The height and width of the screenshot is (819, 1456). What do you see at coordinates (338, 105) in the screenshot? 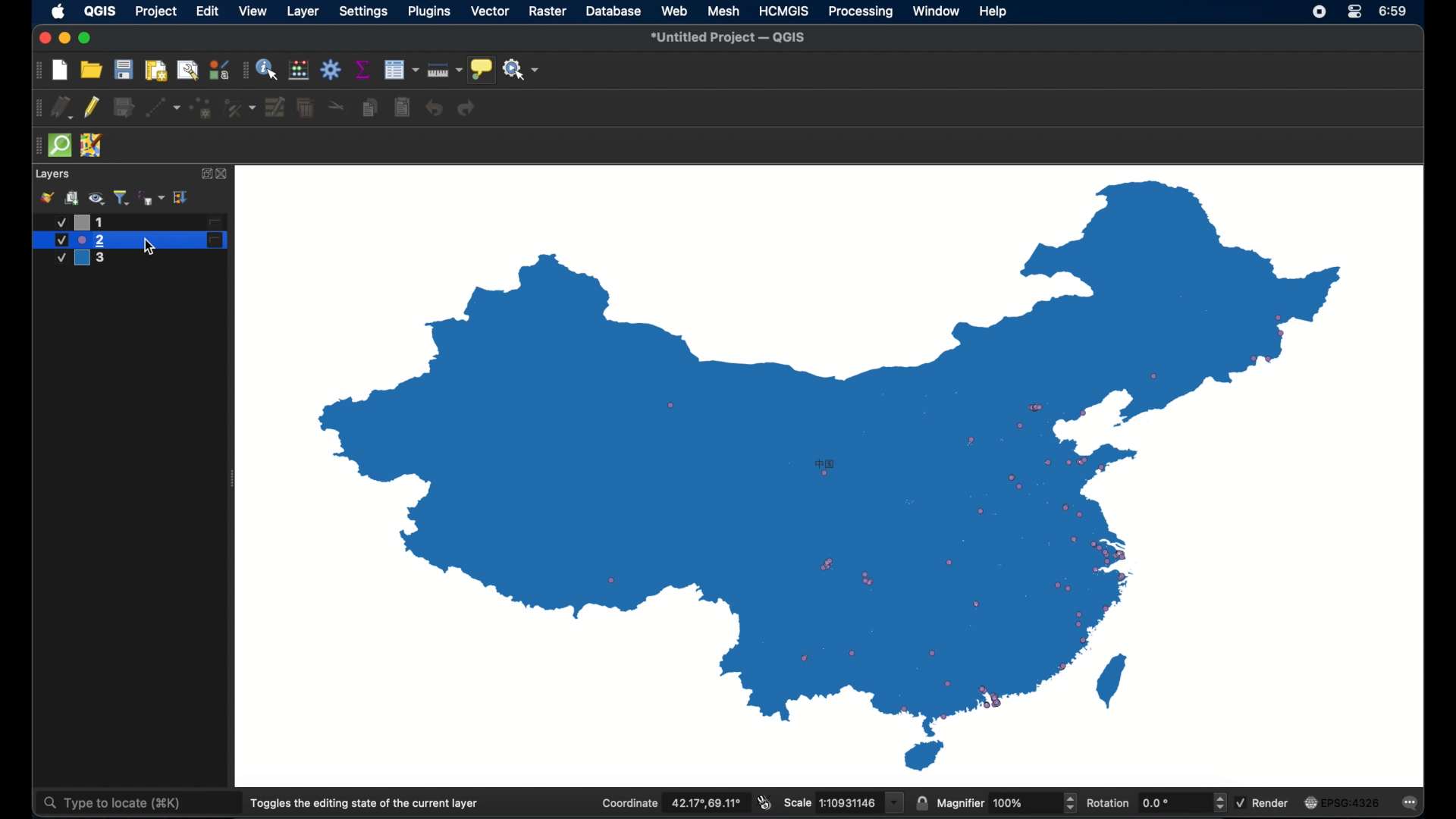
I see `cut` at bounding box center [338, 105].